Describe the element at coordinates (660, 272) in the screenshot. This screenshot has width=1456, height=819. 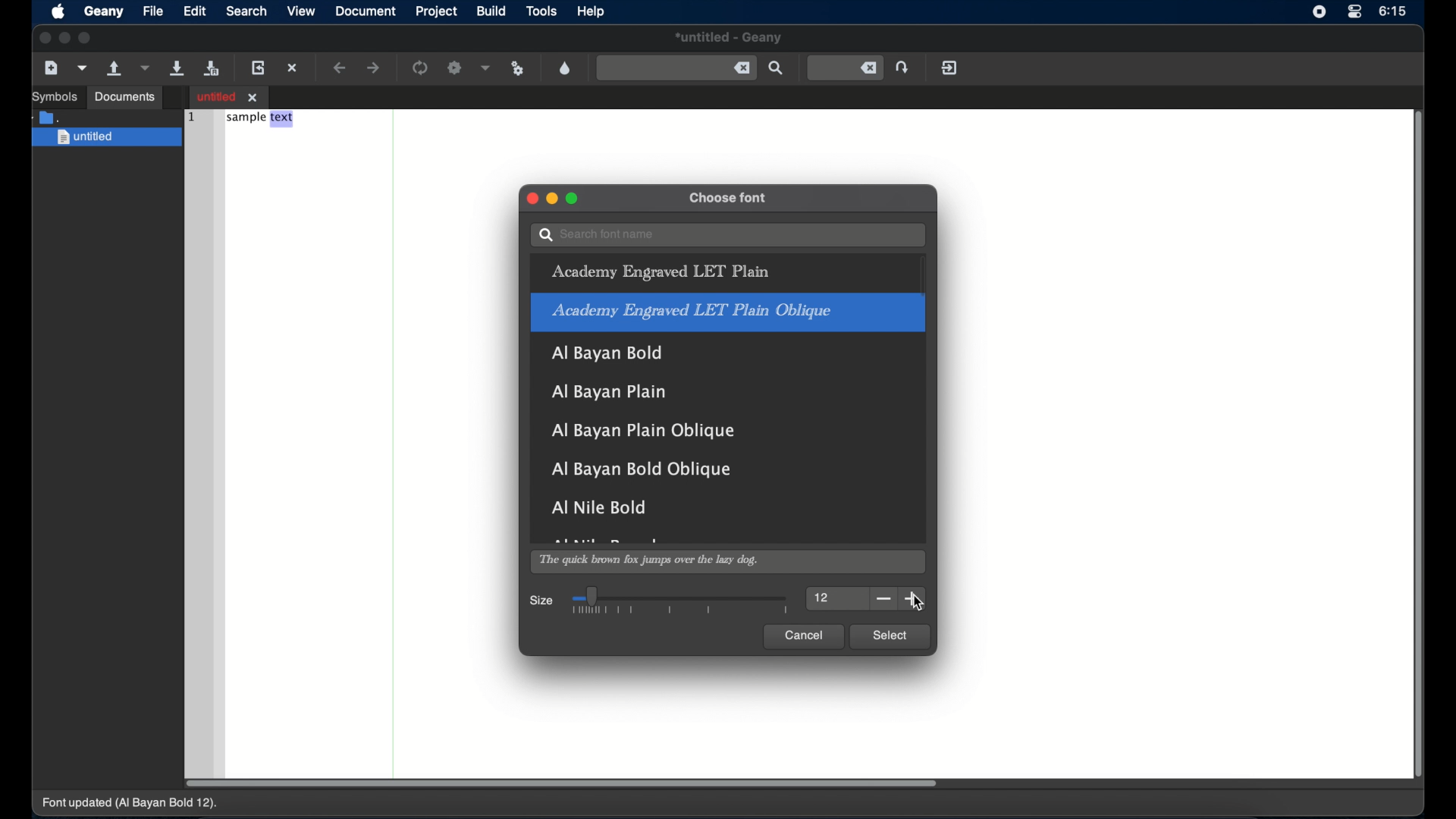
I see `academy engraved LET plain` at that location.